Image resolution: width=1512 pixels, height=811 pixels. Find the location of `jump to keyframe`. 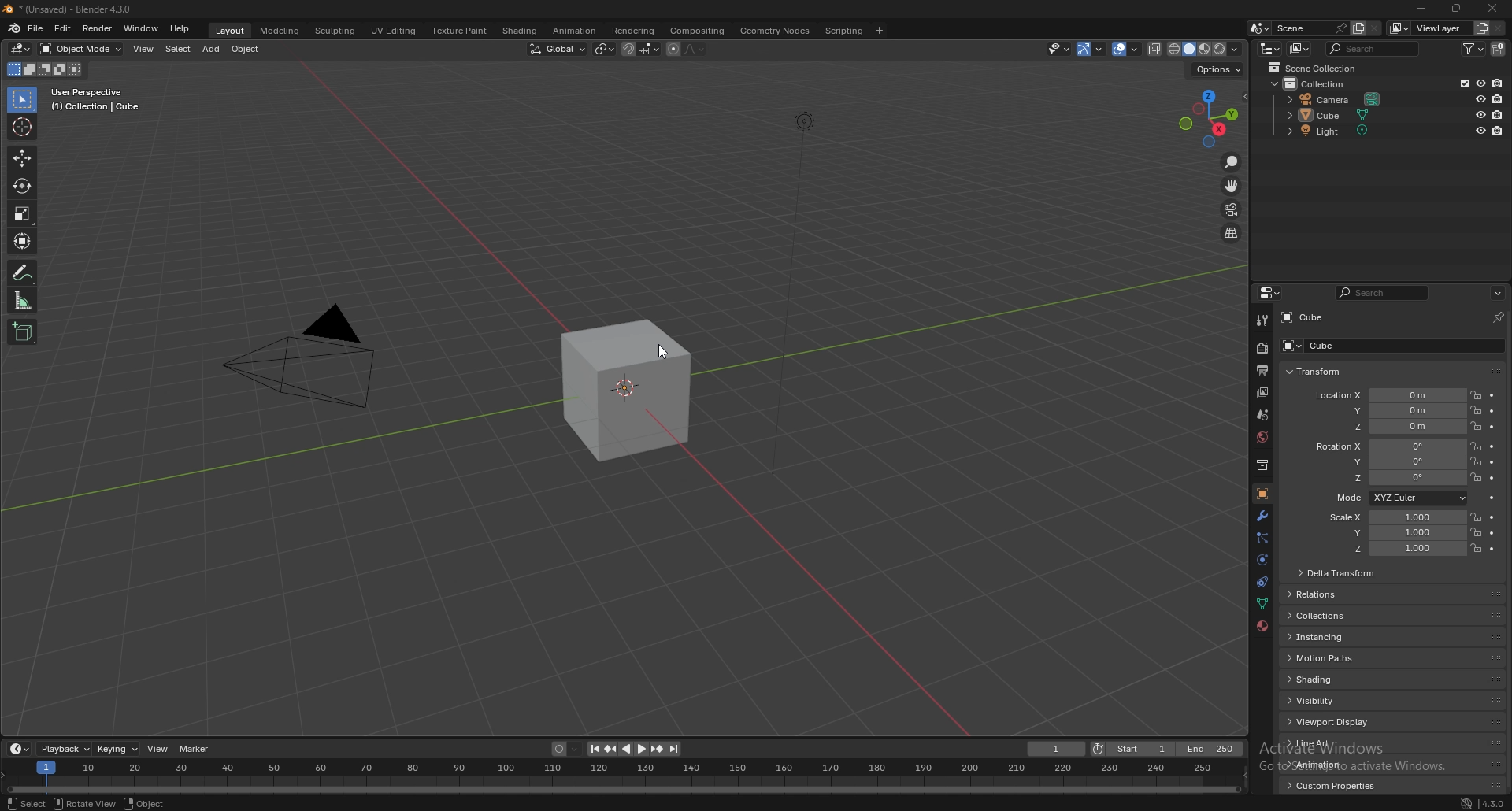

jump to keyframe is located at coordinates (611, 749).